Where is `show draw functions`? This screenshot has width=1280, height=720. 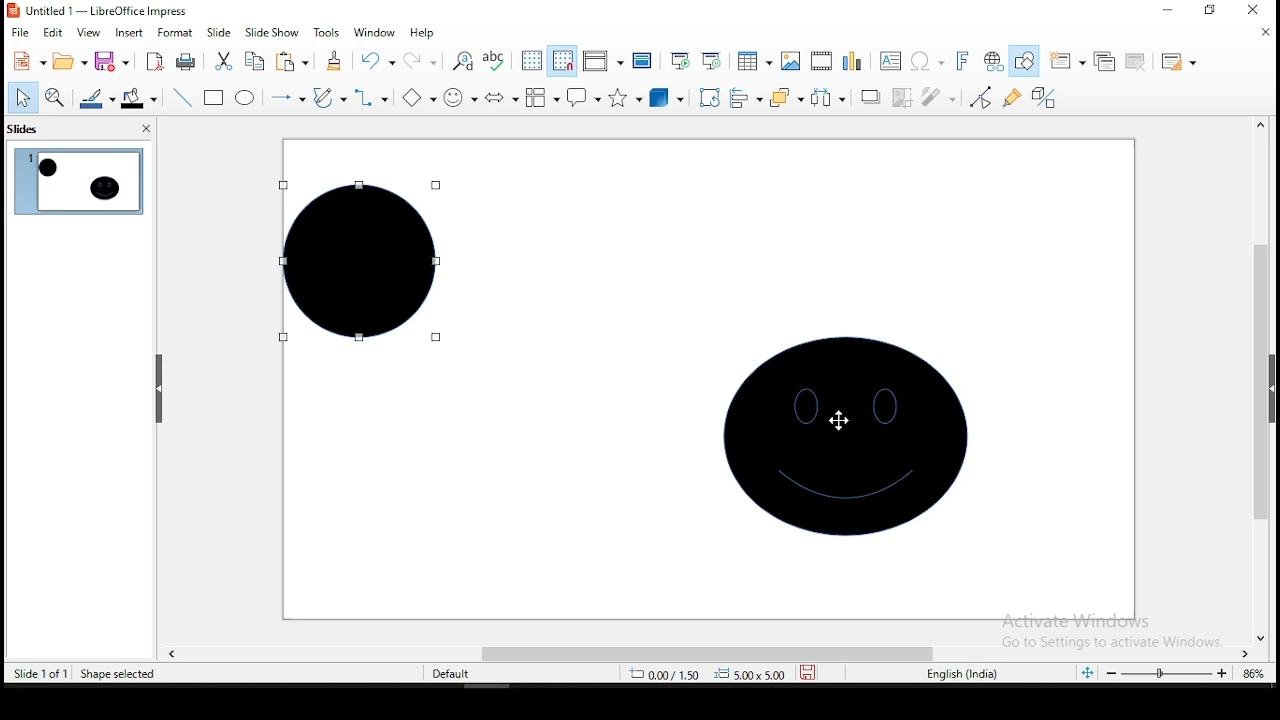 show draw functions is located at coordinates (1028, 61).